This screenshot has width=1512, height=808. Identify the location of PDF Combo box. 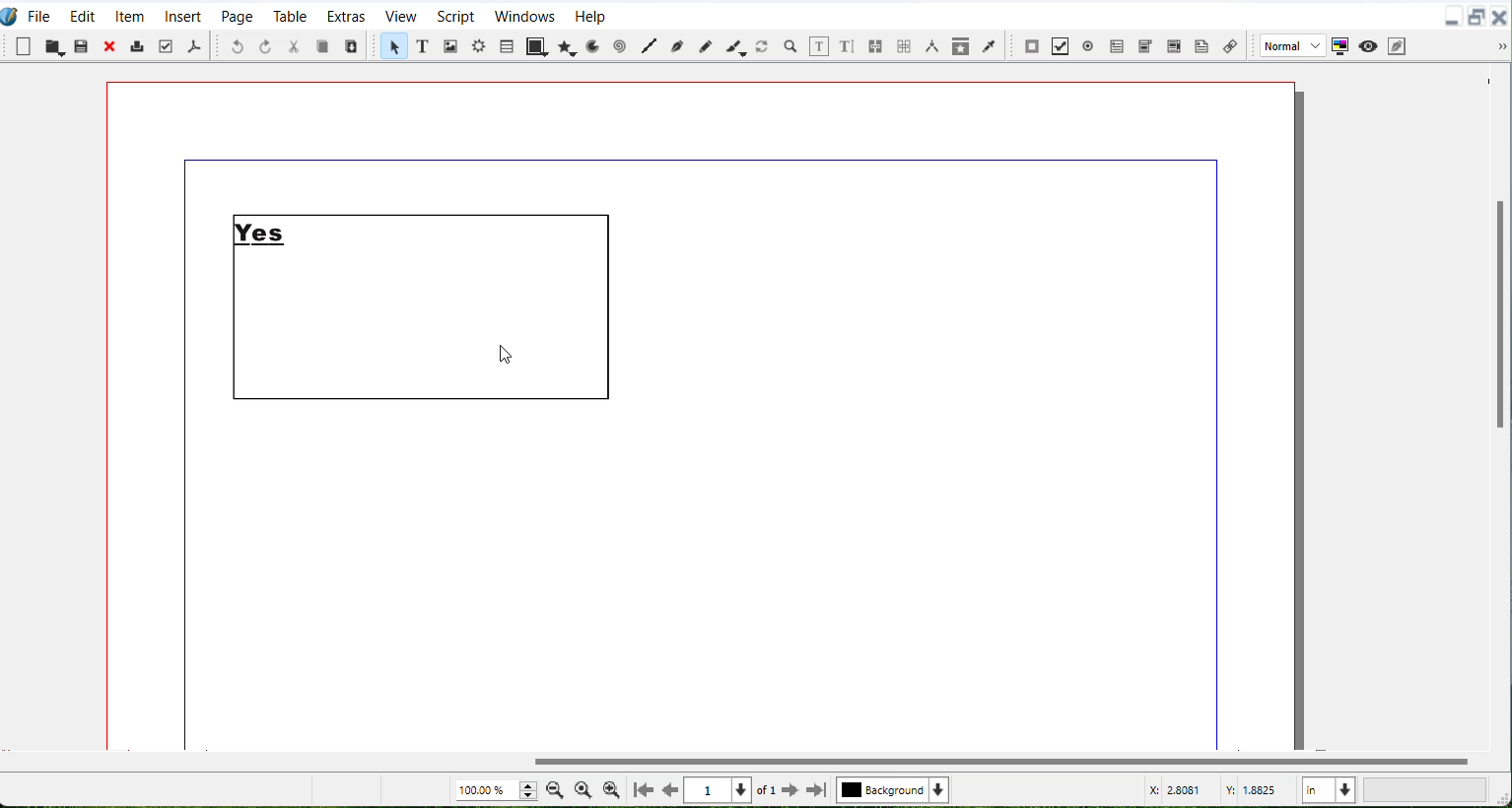
(1146, 44).